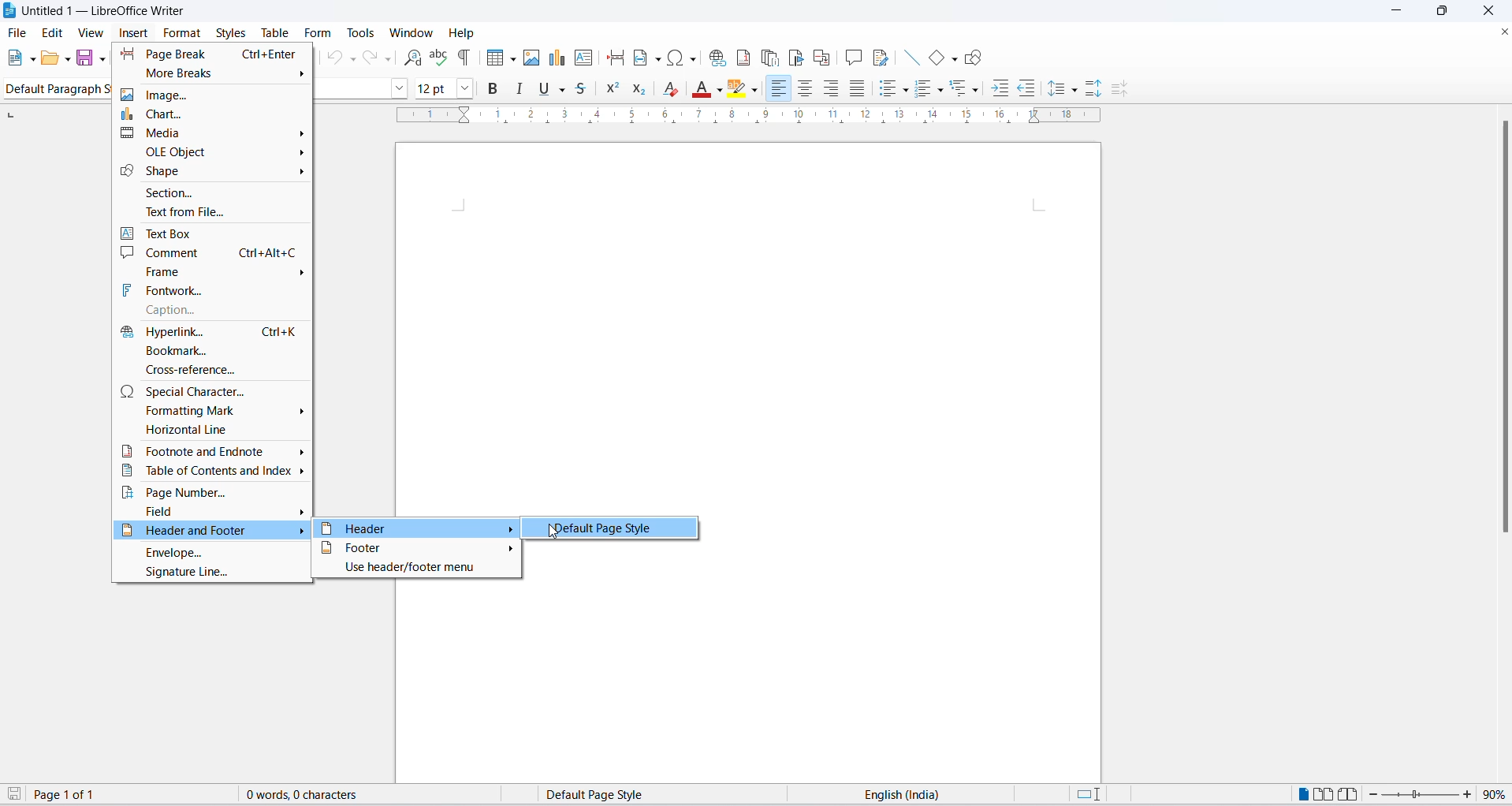 This screenshot has height=806, width=1512. What do you see at coordinates (674, 88) in the screenshot?
I see `clear direct formatting` at bounding box center [674, 88].